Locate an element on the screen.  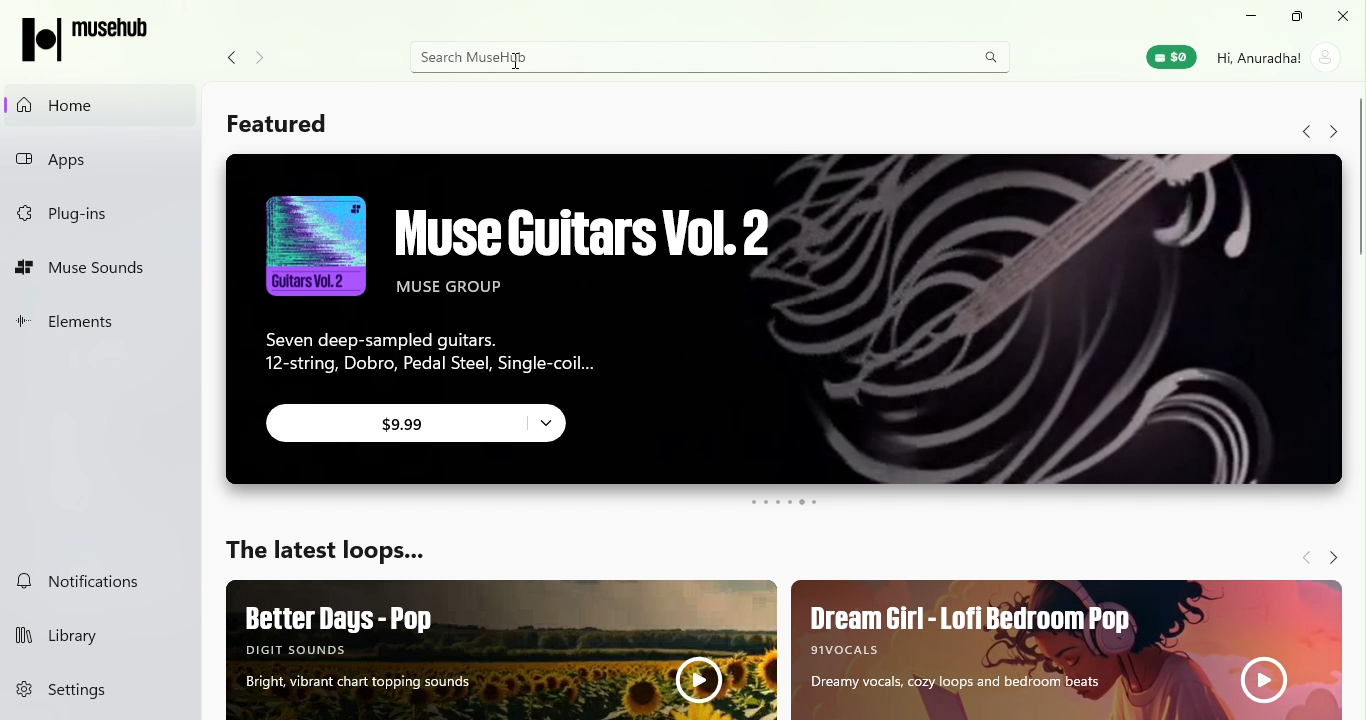
Ad is located at coordinates (504, 650).